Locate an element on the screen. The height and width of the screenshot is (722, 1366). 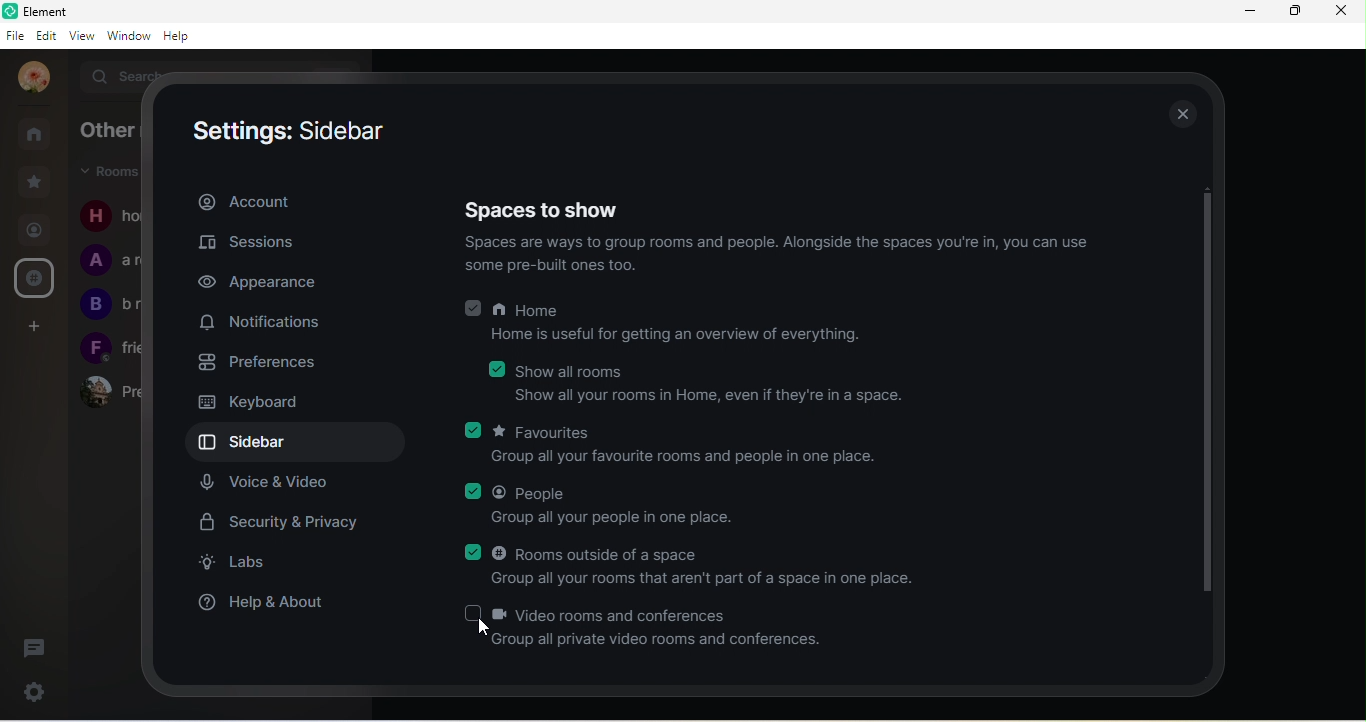
favourites is located at coordinates (676, 446).